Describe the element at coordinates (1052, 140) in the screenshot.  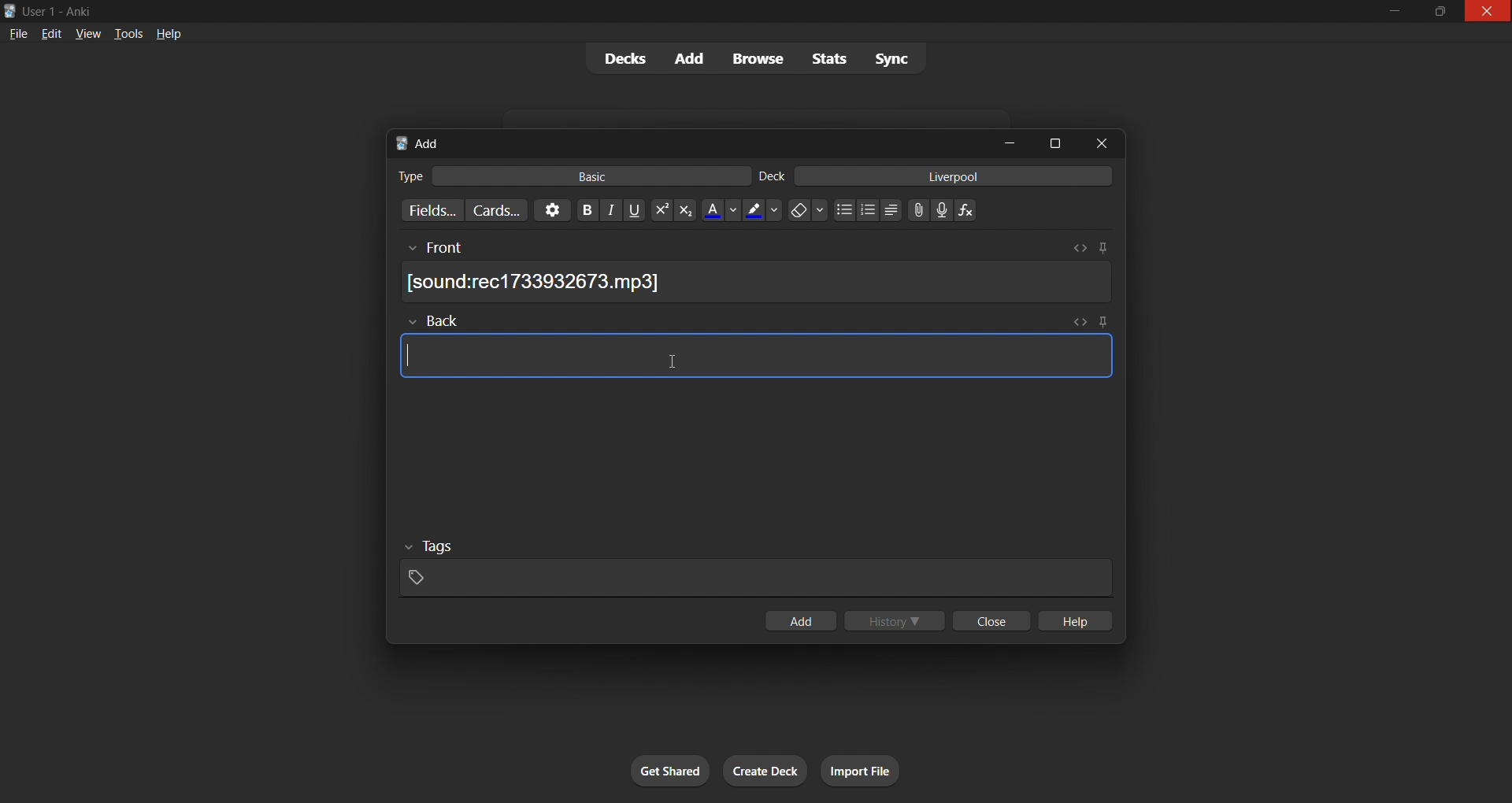
I see `maximize` at that location.